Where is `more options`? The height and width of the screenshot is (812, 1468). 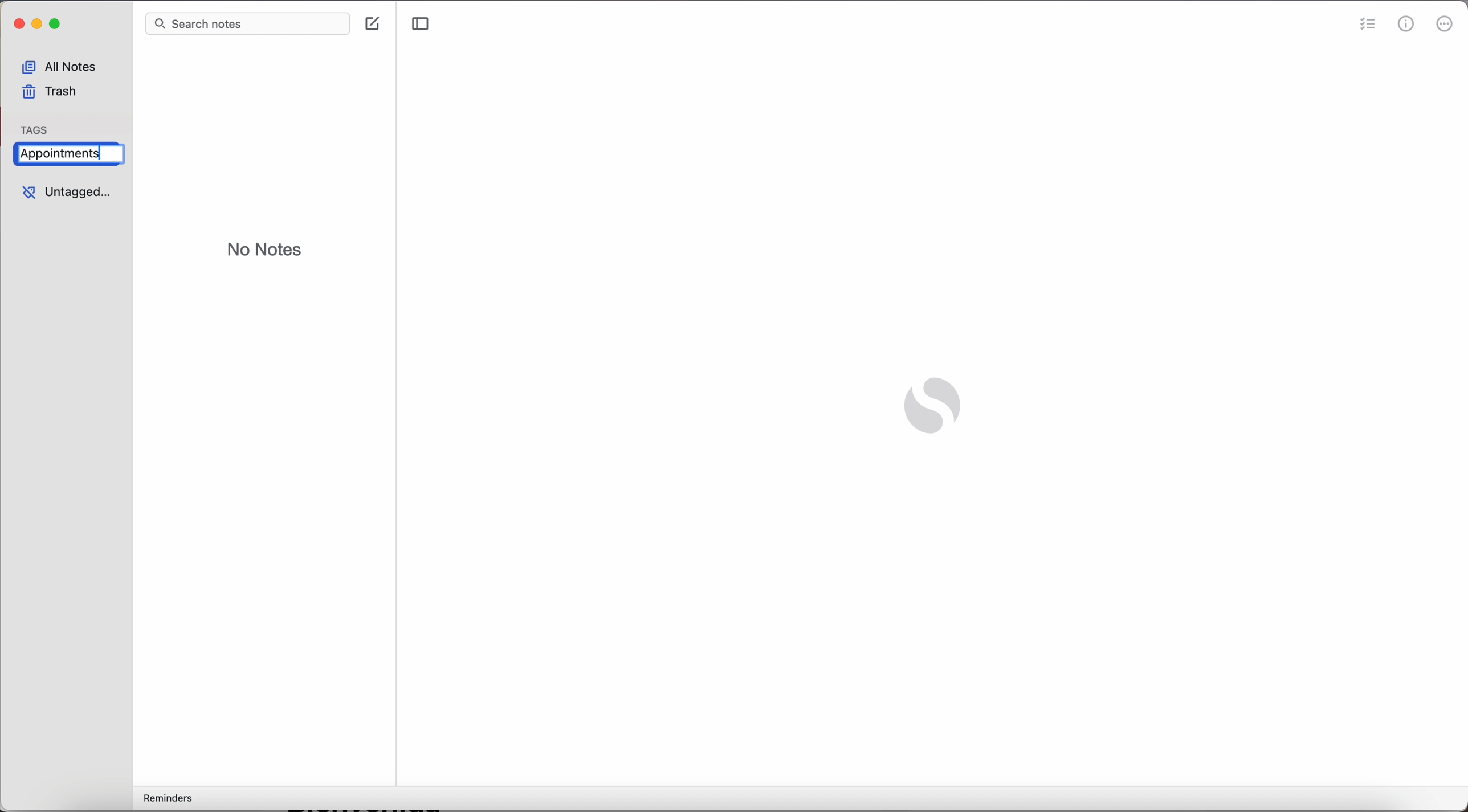
more options is located at coordinates (1446, 26).